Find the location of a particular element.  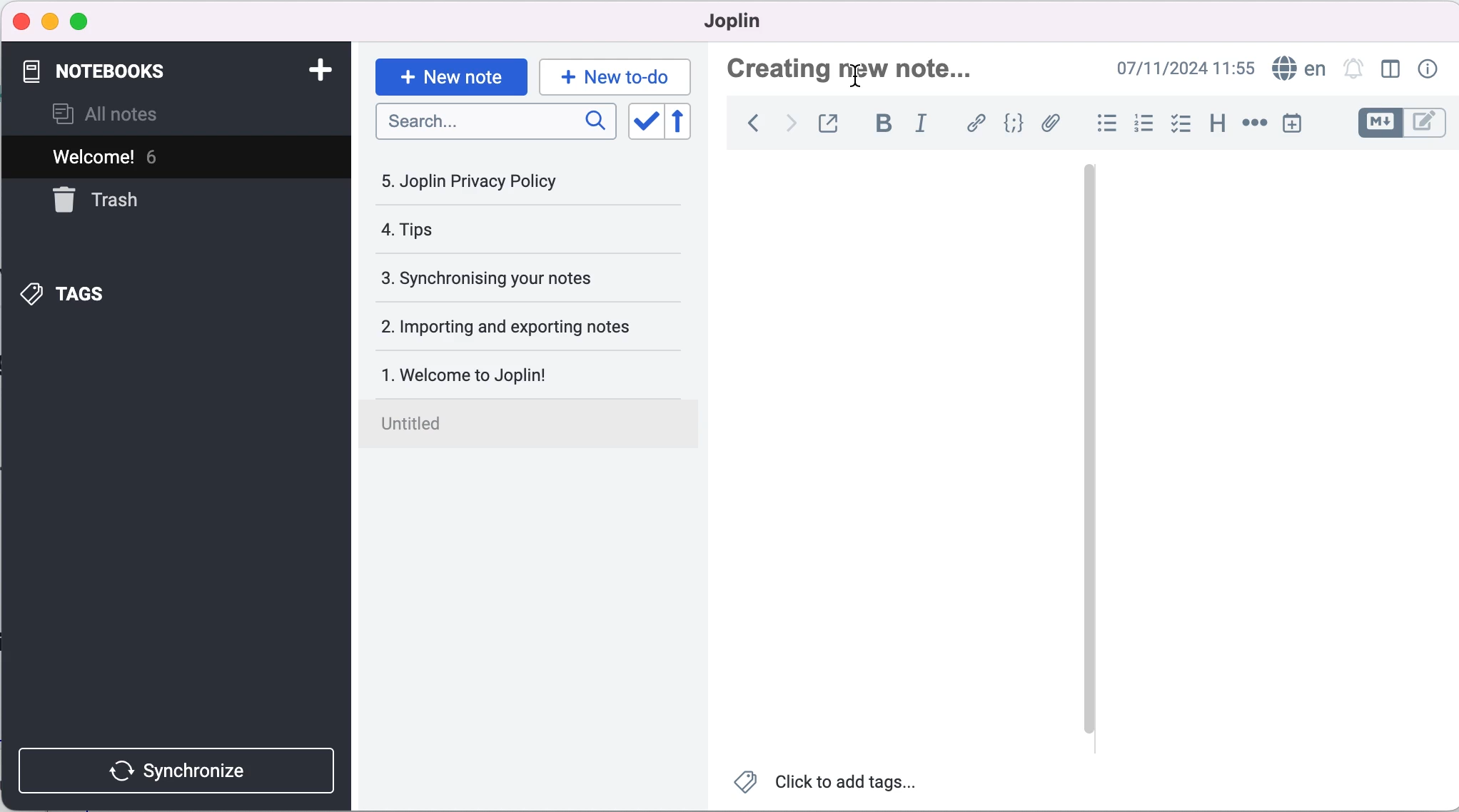

heading is located at coordinates (1213, 125).